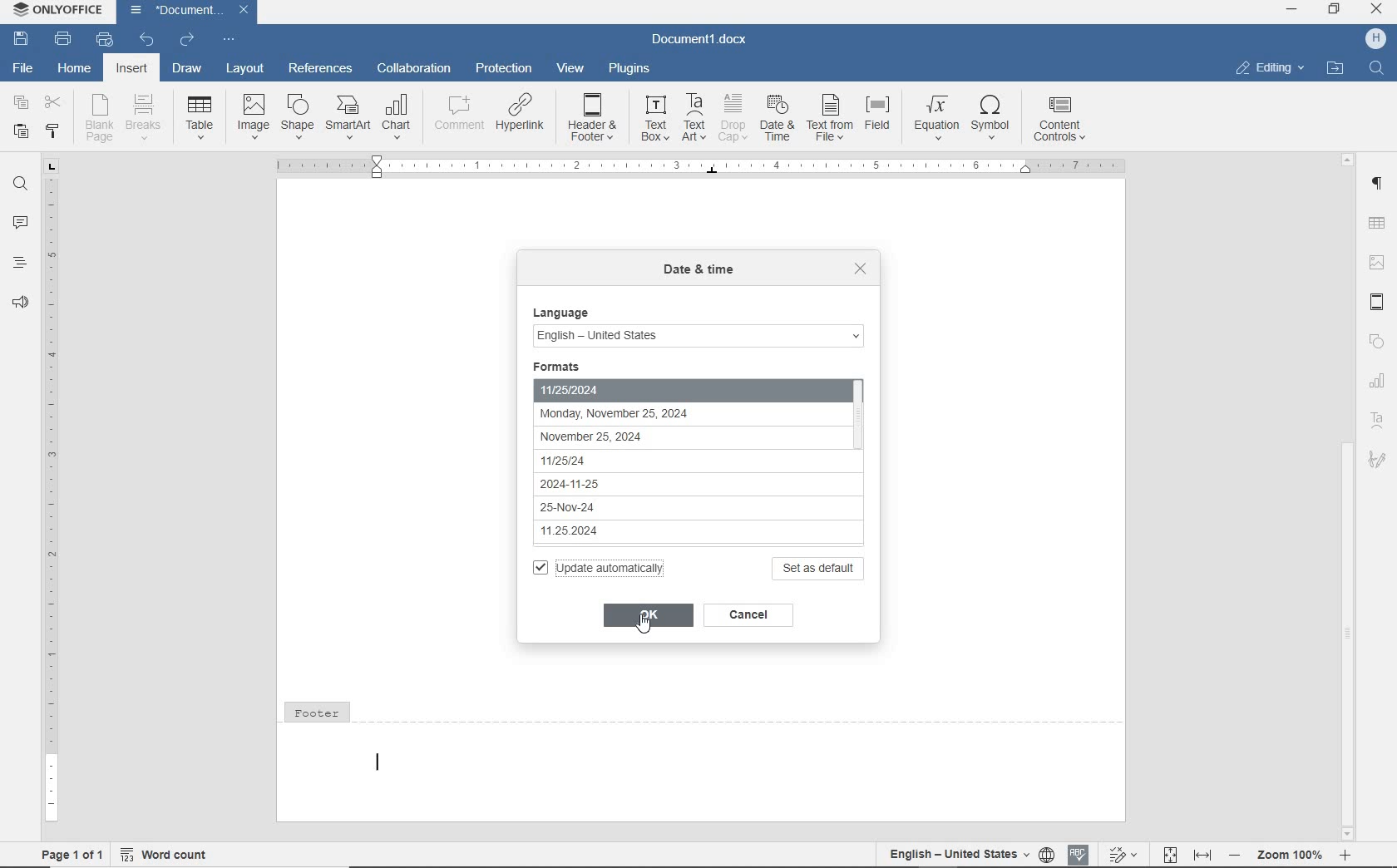  Describe the element at coordinates (1337, 68) in the screenshot. I see `open file location` at that location.